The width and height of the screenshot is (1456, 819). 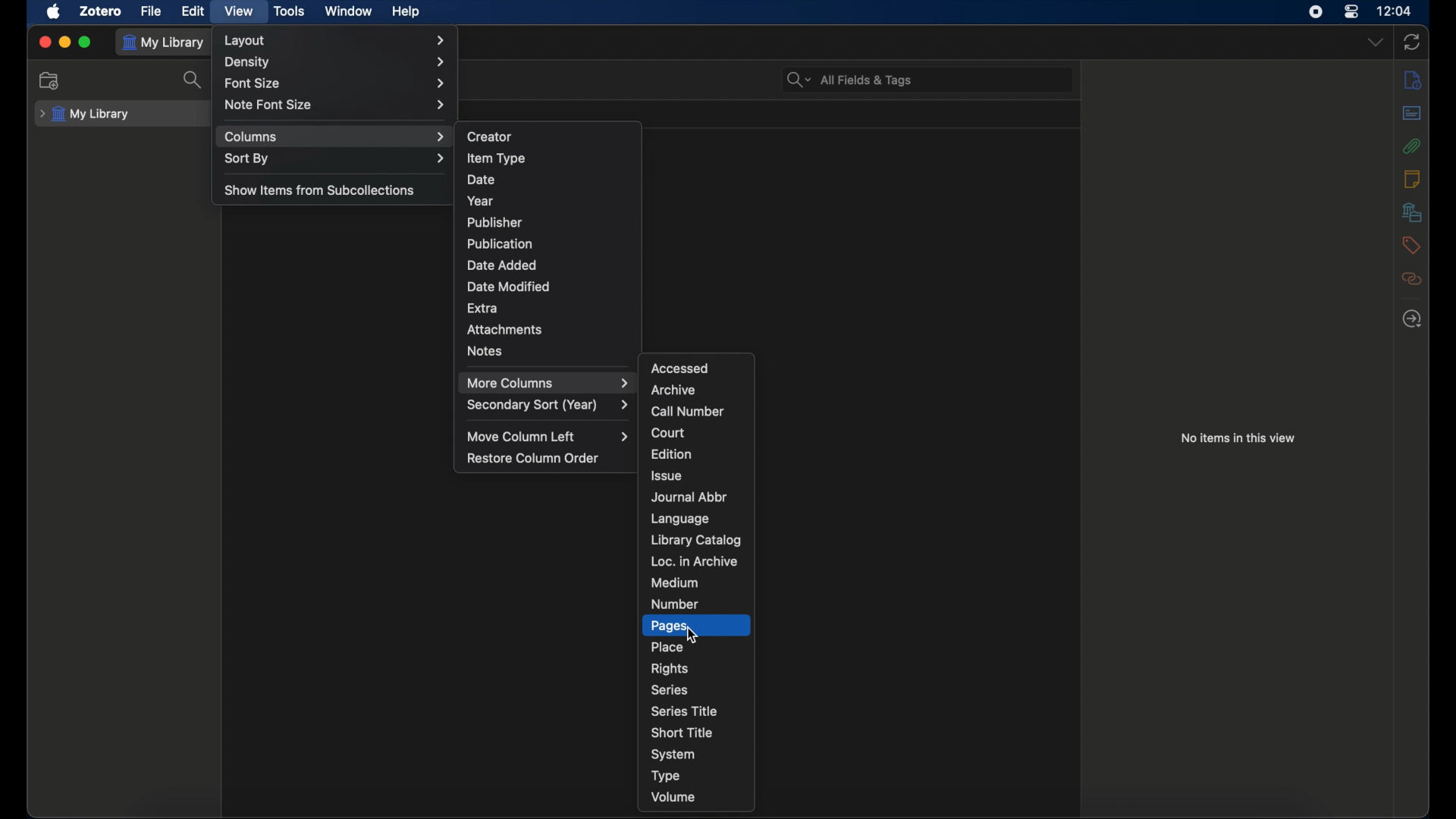 I want to click on apple , so click(x=54, y=11).